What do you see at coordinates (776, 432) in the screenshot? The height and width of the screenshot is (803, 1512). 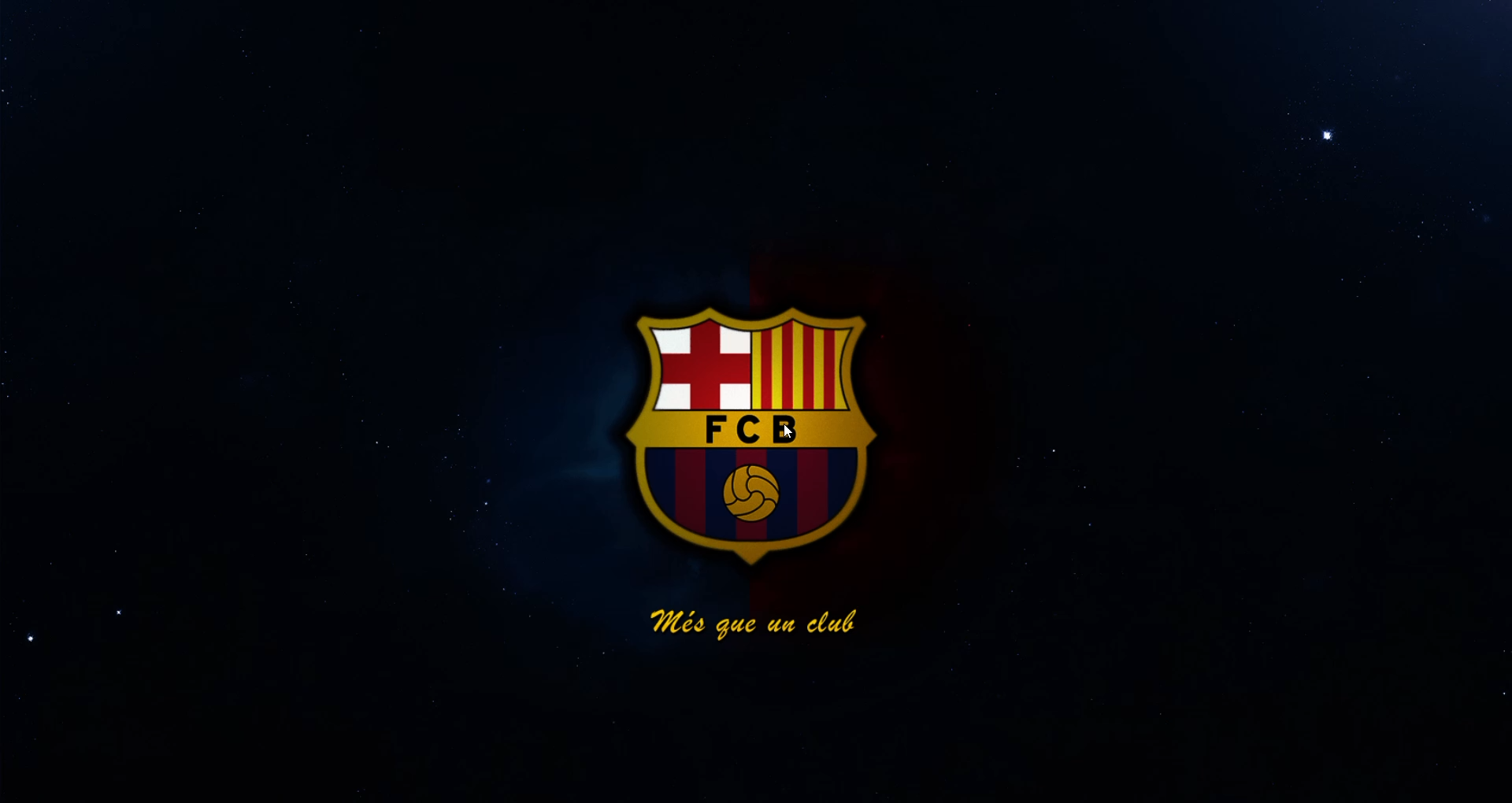 I see `cursor` at bounding box center [776, 432].